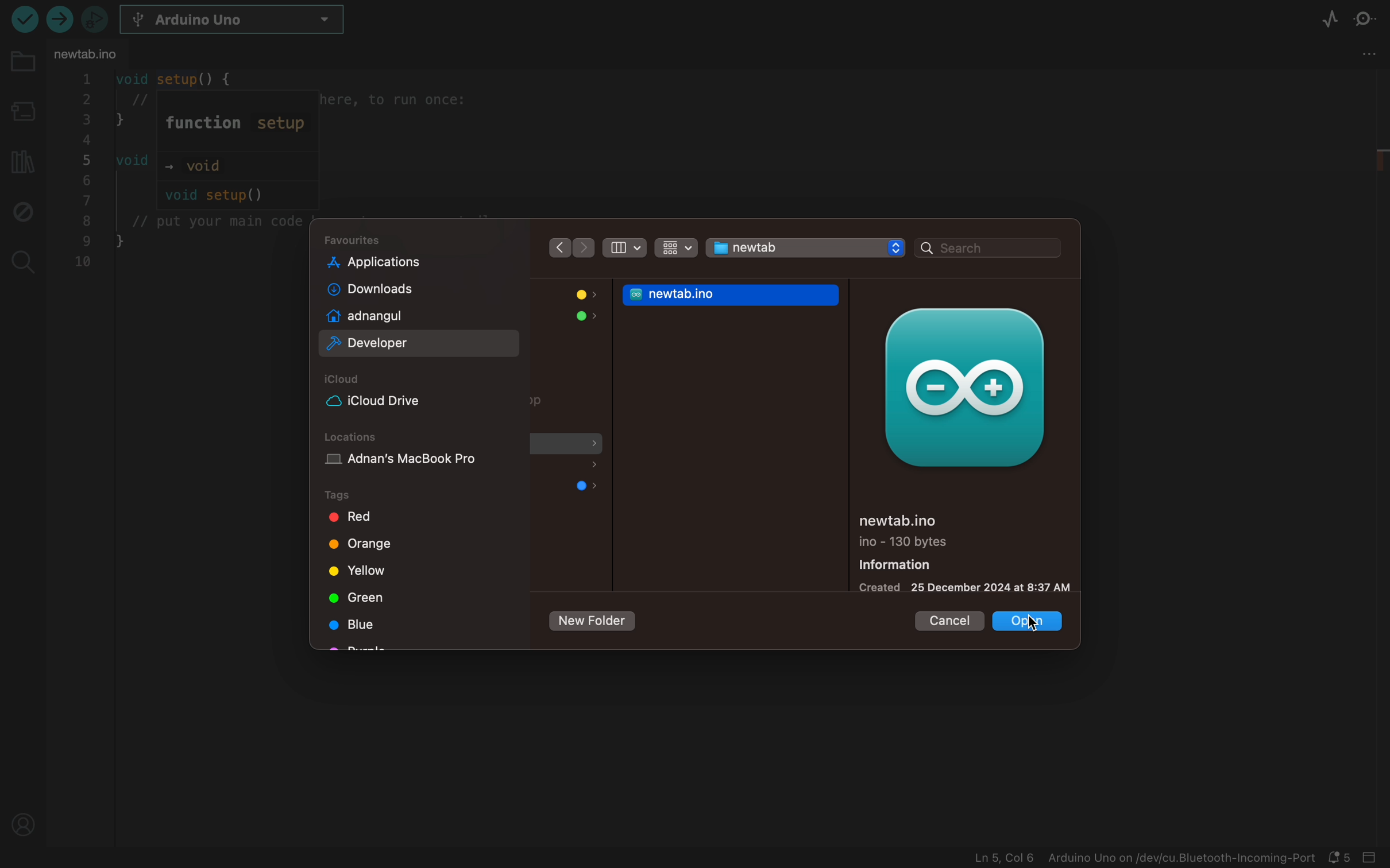  What do you see at coordinates (357, 240) in the screenshot?
I see `favourites` at bounding box center [357, 240].